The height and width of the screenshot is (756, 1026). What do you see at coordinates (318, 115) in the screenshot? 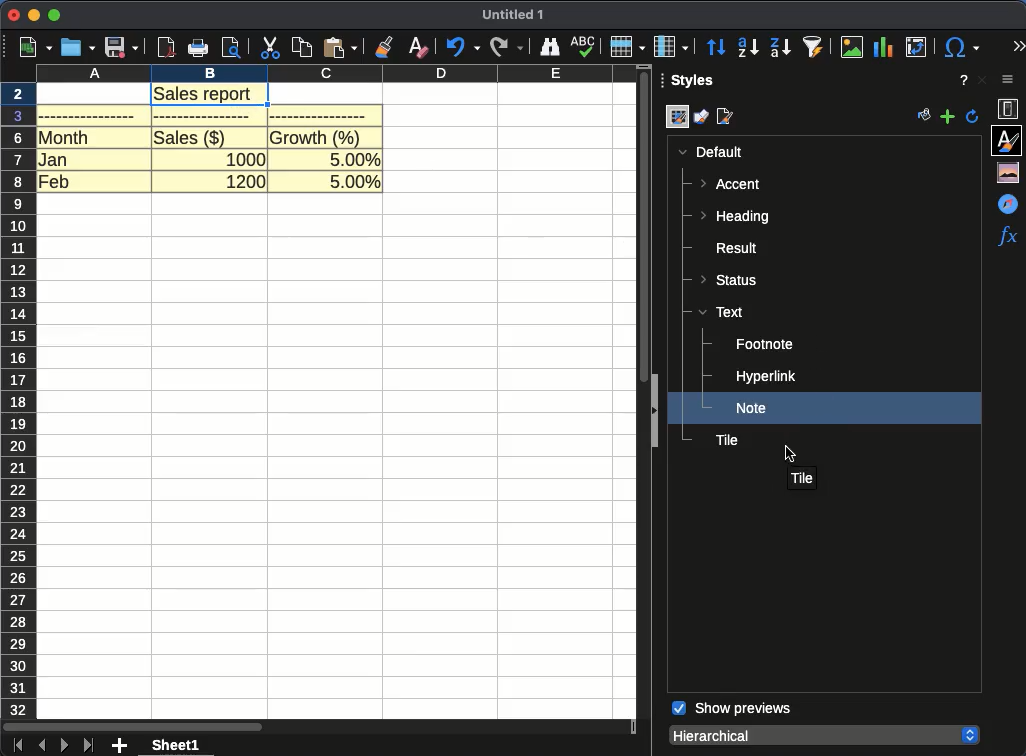
I see `blank` at bounding box center [318, 115].